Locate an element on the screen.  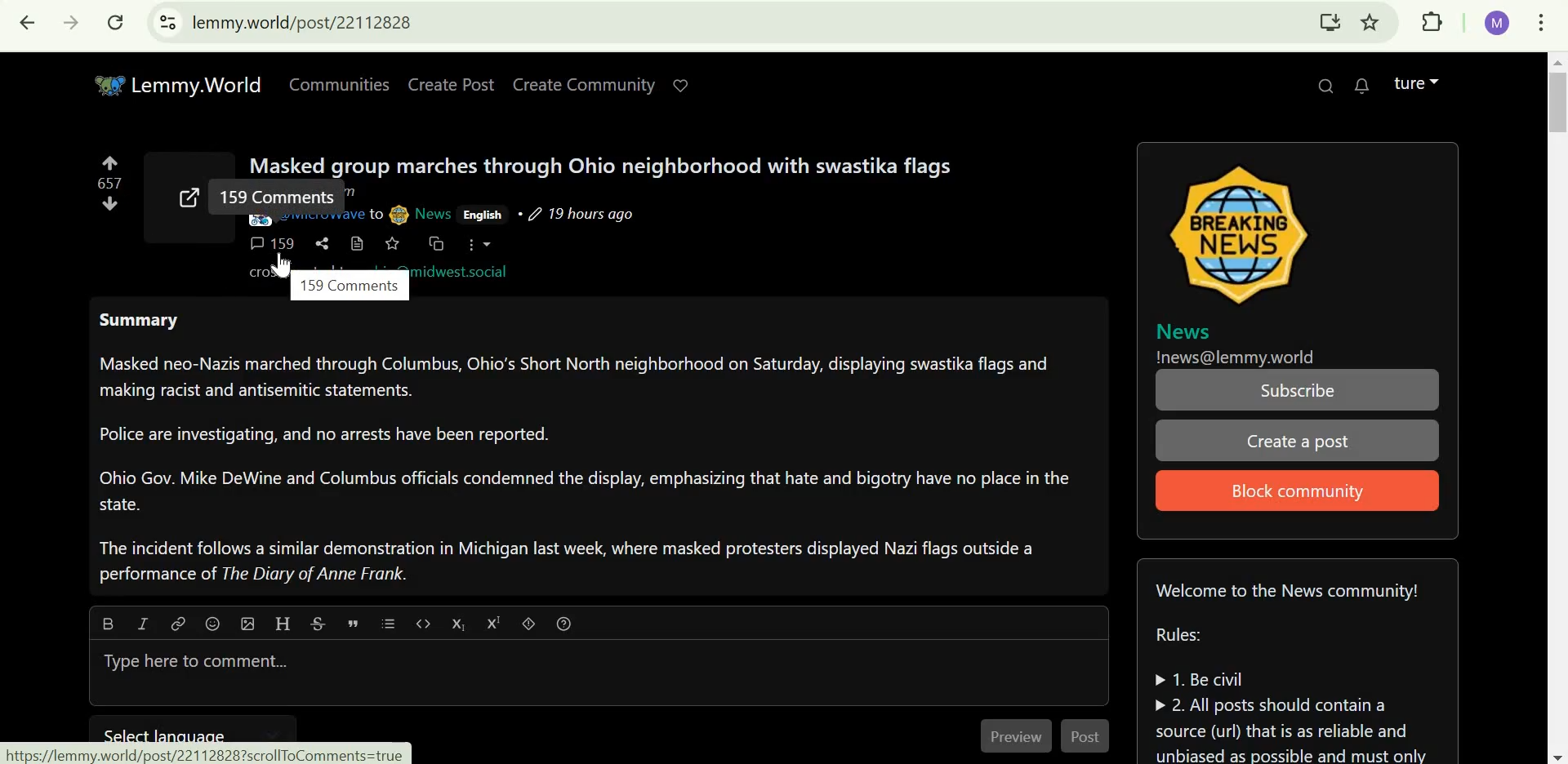
0 unread messages is located at coordinates (1363, 86).